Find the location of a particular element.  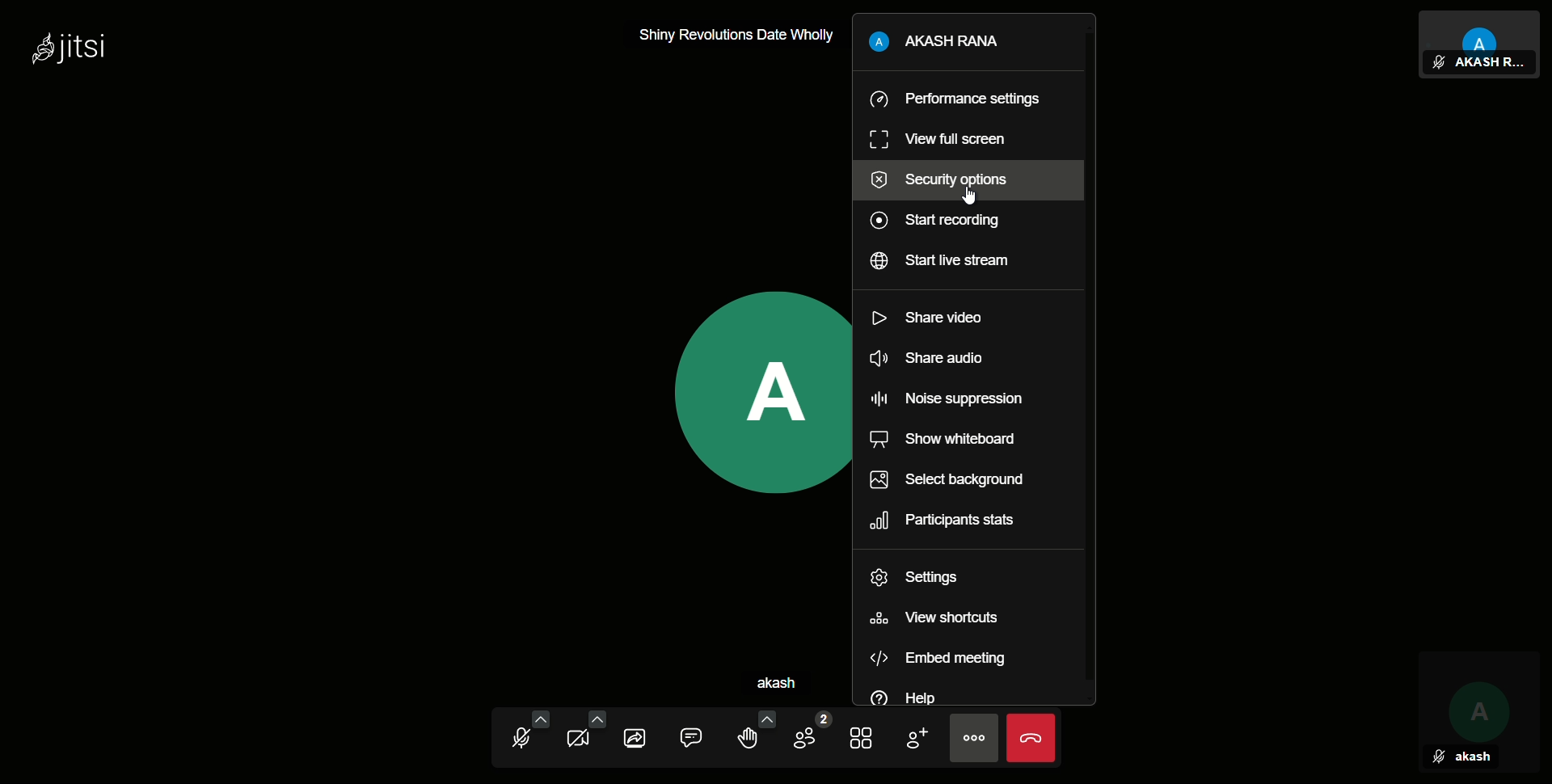

mute is located at coordinates (1438, 63).